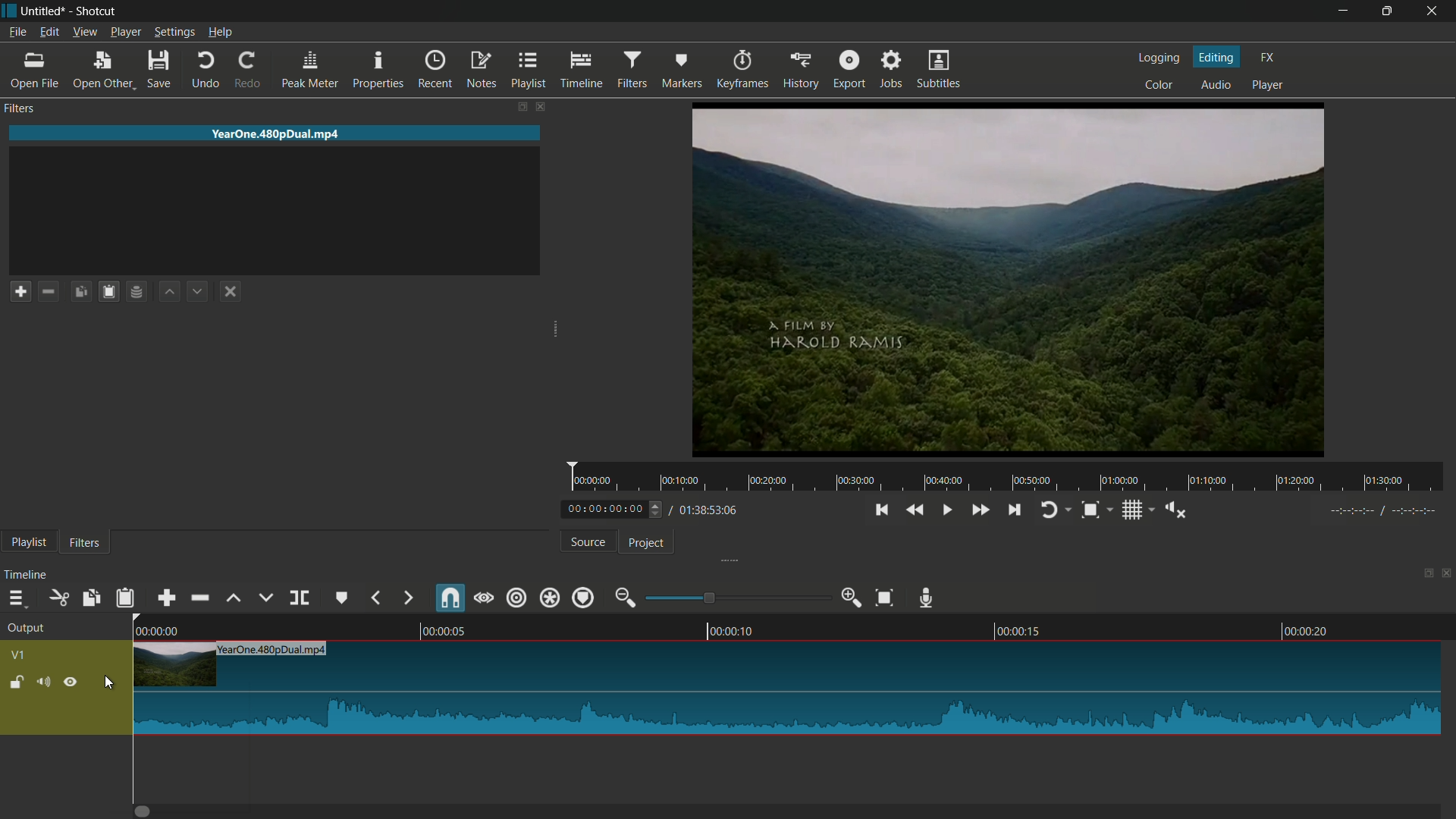 This screenshot has width=1456, height=819. I want to click on toggle play or pause, so click(949, 510).